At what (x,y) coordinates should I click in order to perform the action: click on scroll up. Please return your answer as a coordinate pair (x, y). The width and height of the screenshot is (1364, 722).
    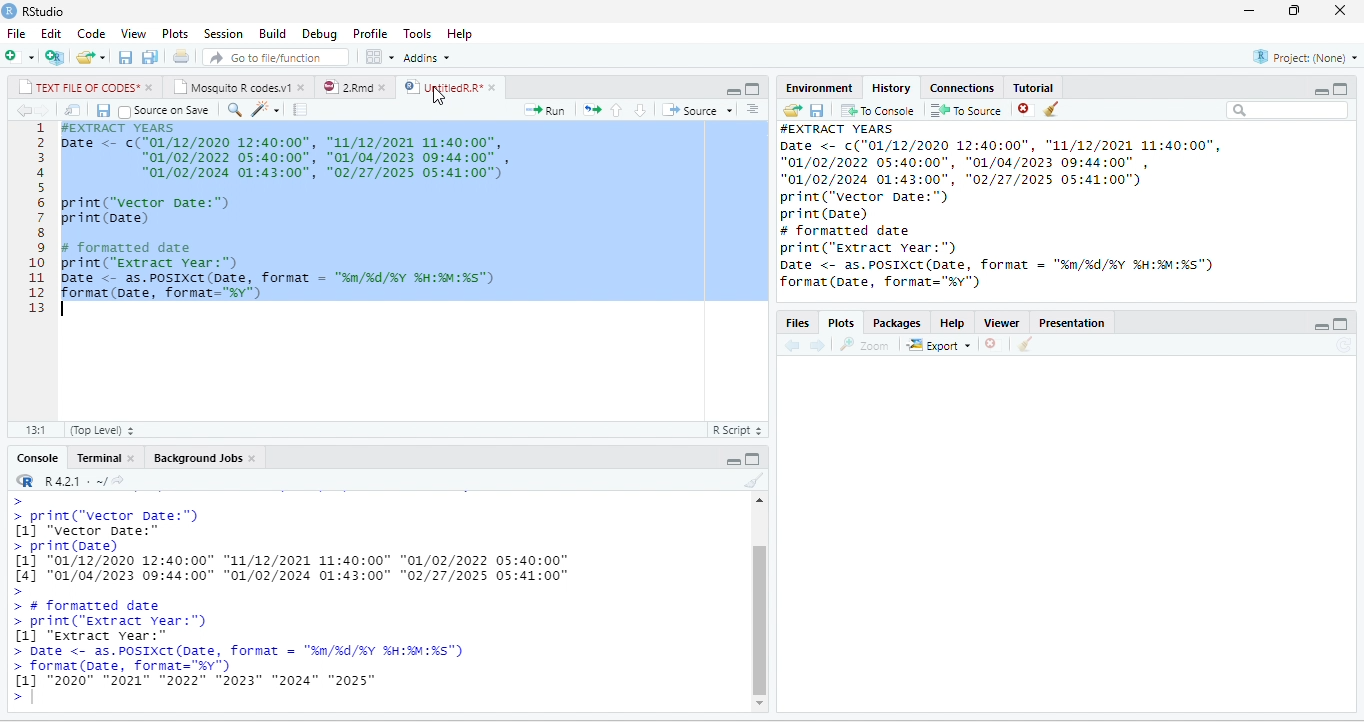
    Looking at the image, I should click on (758, 501).